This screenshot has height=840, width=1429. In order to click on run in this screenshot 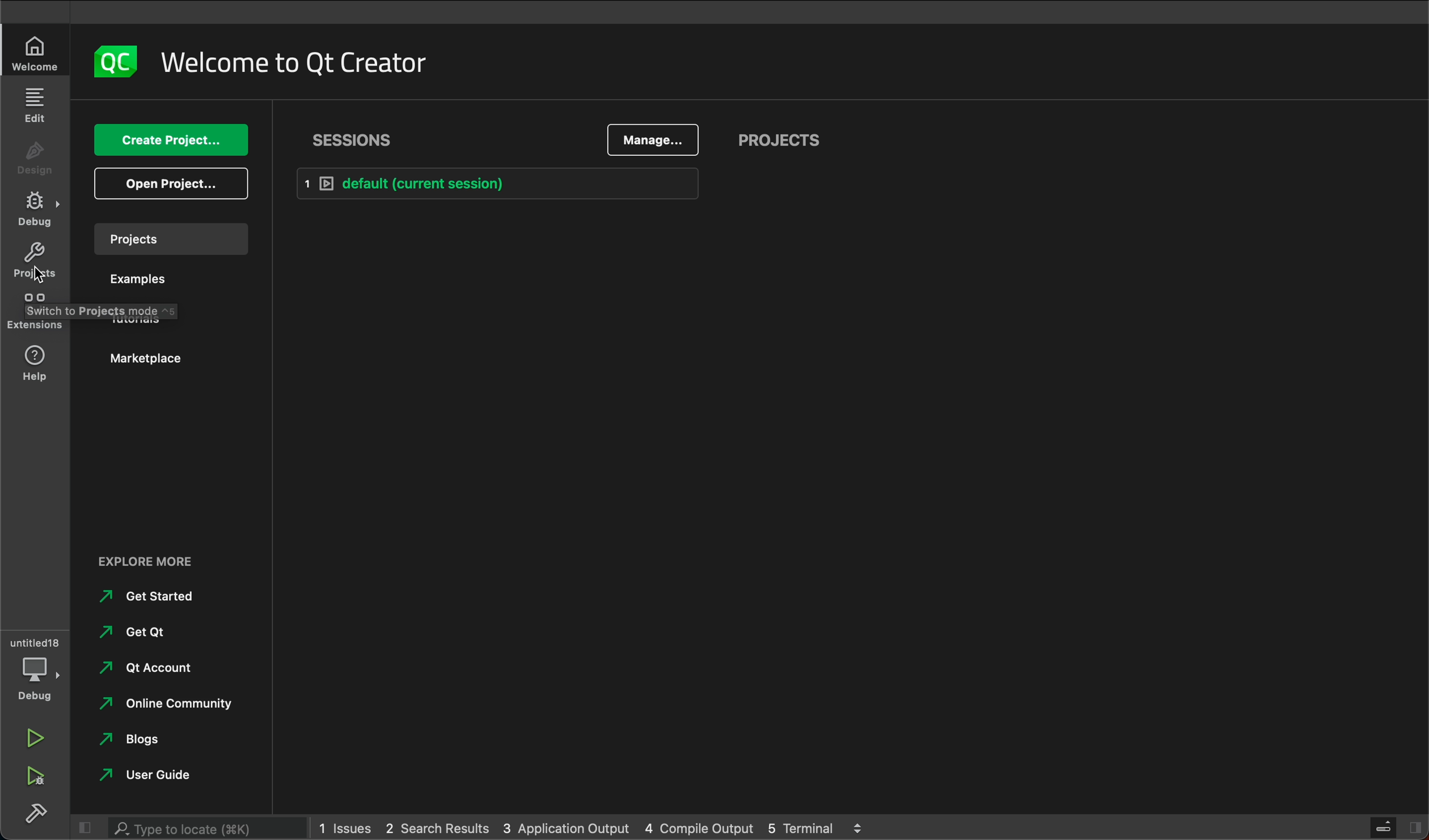, I will do `click(33, 741)`.